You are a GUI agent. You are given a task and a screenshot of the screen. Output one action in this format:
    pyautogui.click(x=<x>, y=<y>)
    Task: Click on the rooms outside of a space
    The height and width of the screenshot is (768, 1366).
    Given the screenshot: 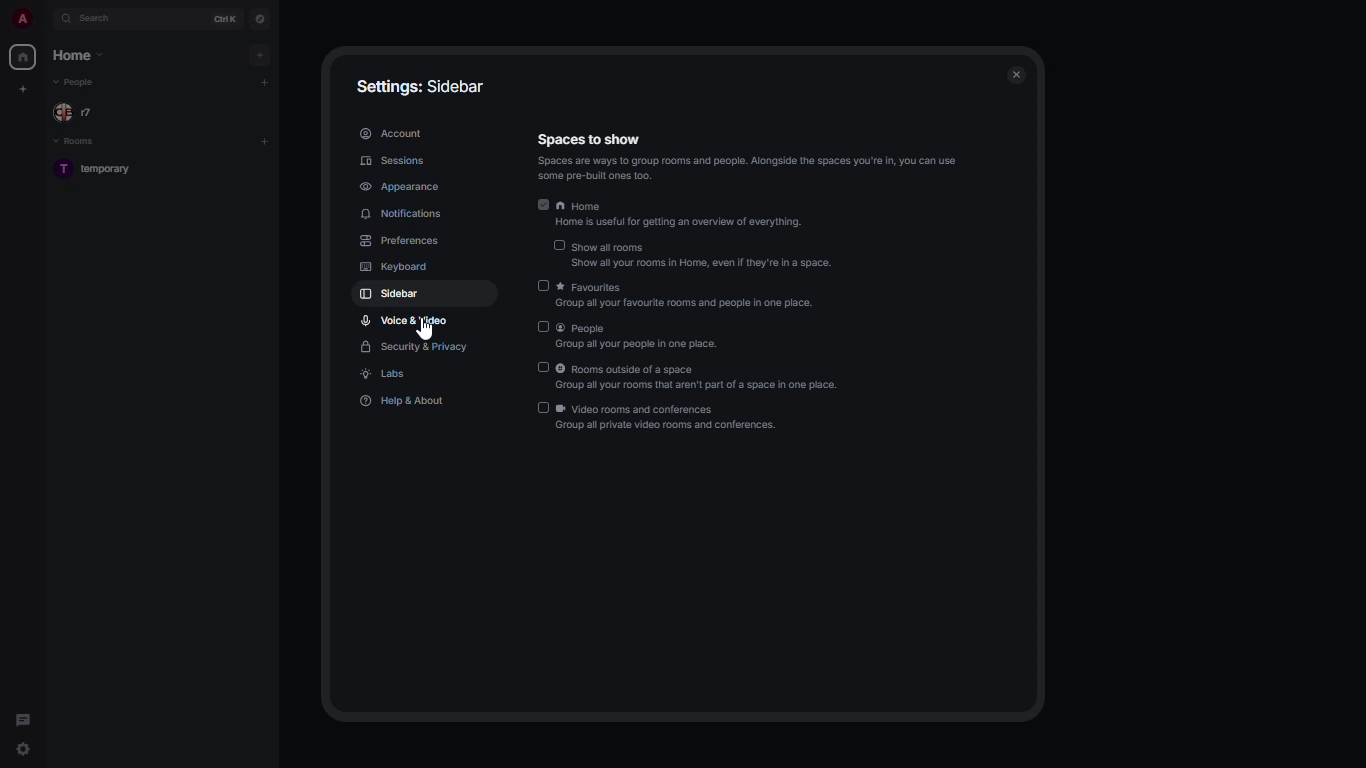 What is the action you would take?
    pyautogui.click(x=693, y=369)
    